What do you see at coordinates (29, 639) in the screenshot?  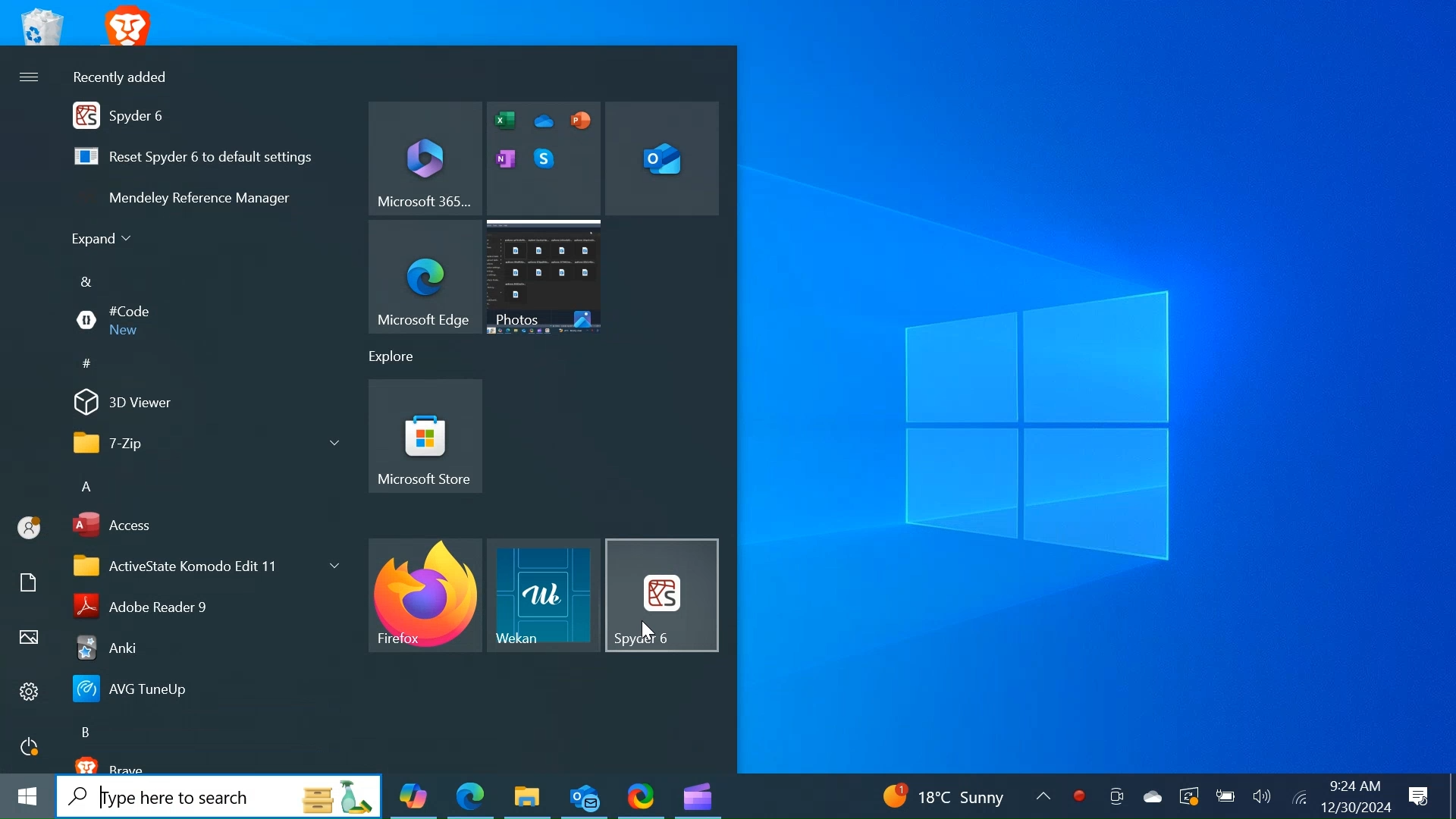 I see `Pictures` at bounding box center [29, 639].